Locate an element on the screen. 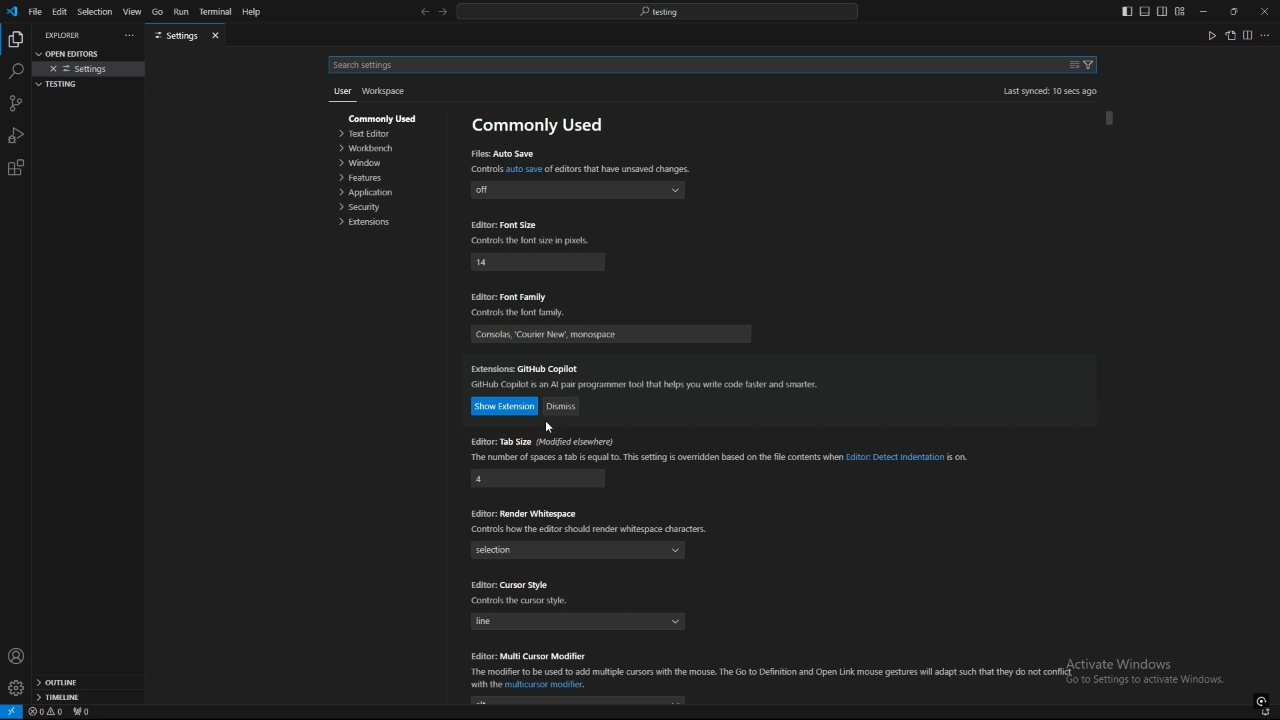 Image resolution: width=1280 pixels, height=720 pixels. edit is located at coordinates (60, 11).